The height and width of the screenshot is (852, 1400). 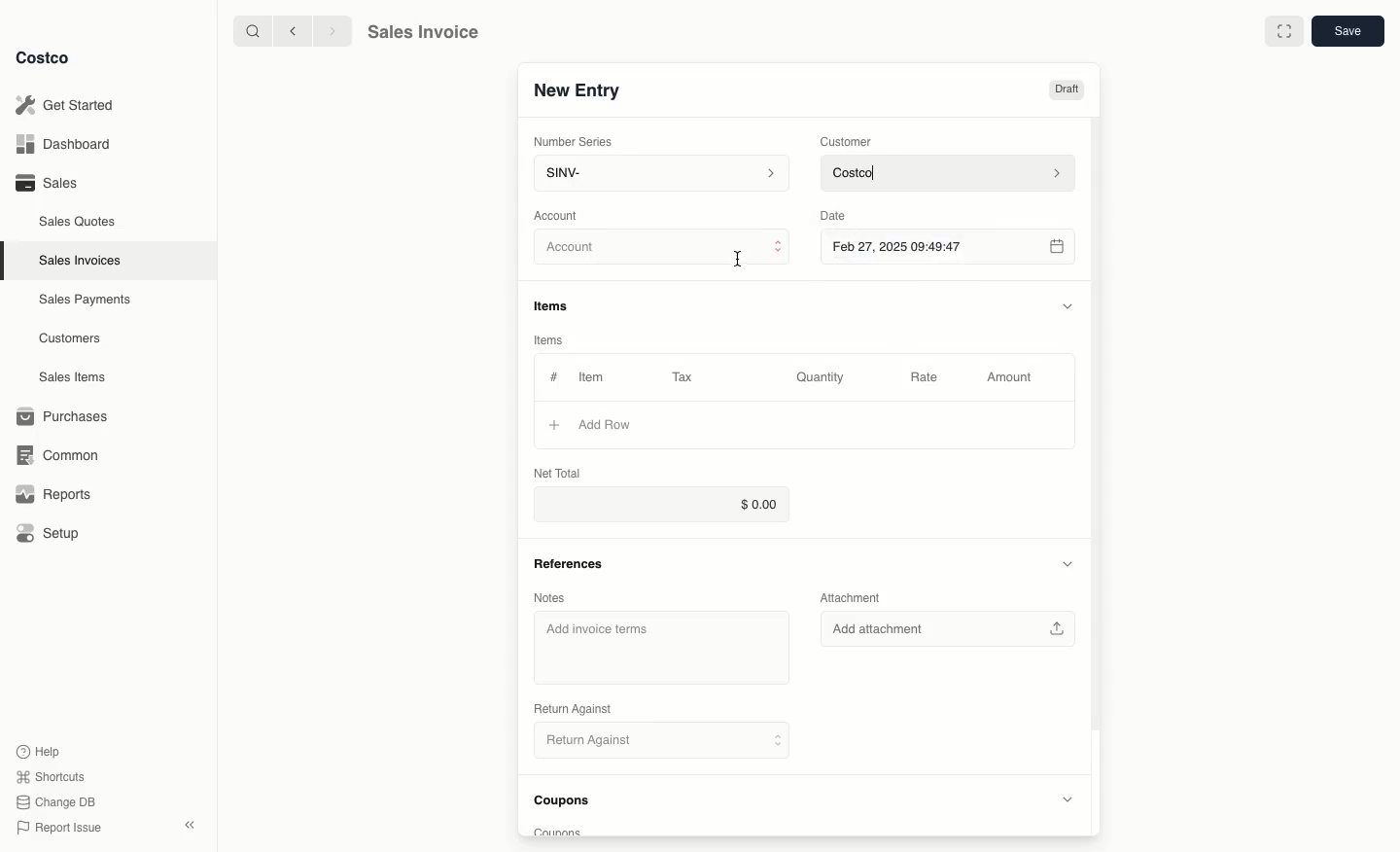 What do you see at coordinates (847, 140) in the screenshot?
I see `Customer` at bounding box center [847, 140].